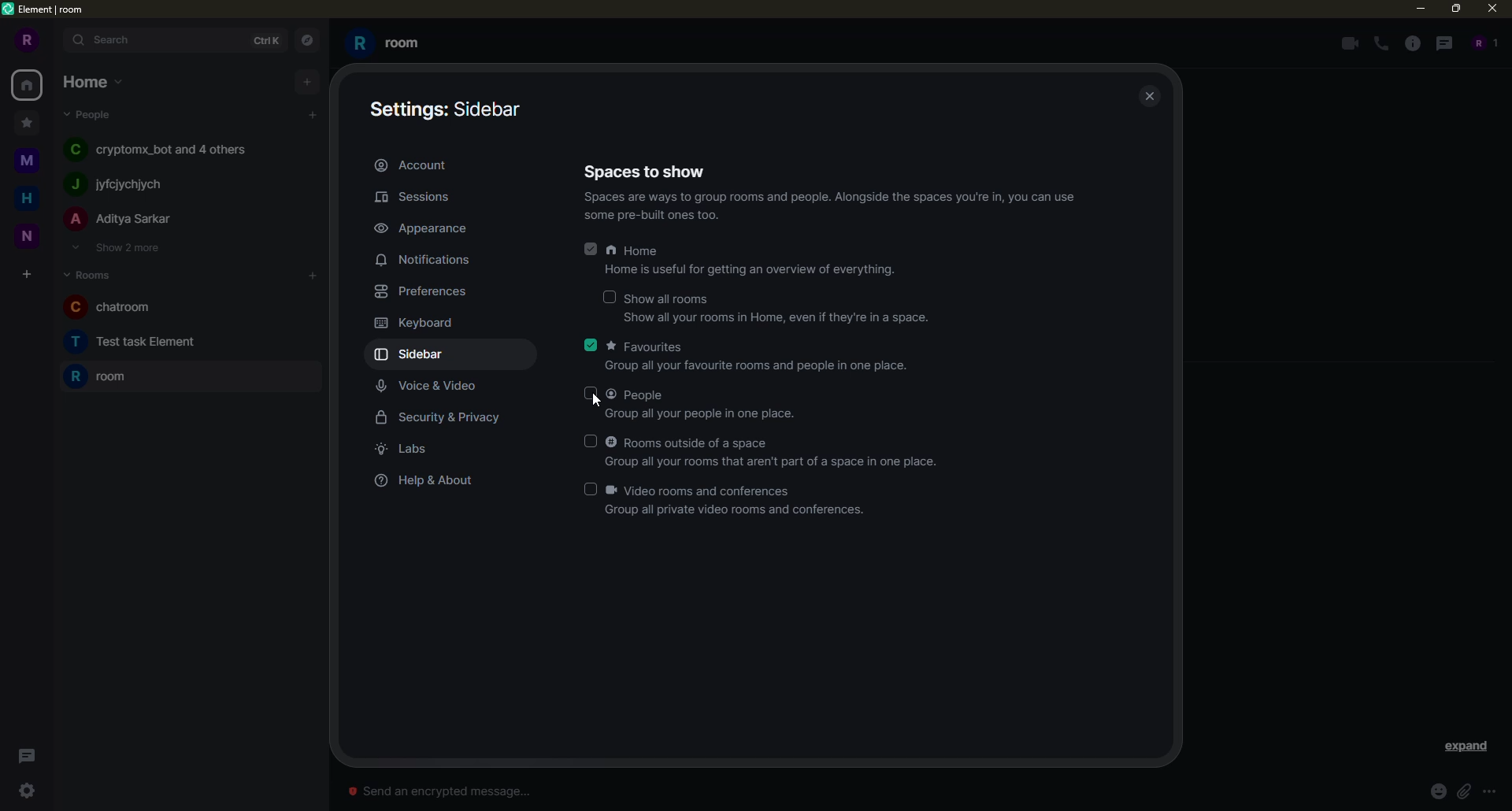 The height and width of the screenshot is (811, 1512). I want to click on add, so click(313, 276).